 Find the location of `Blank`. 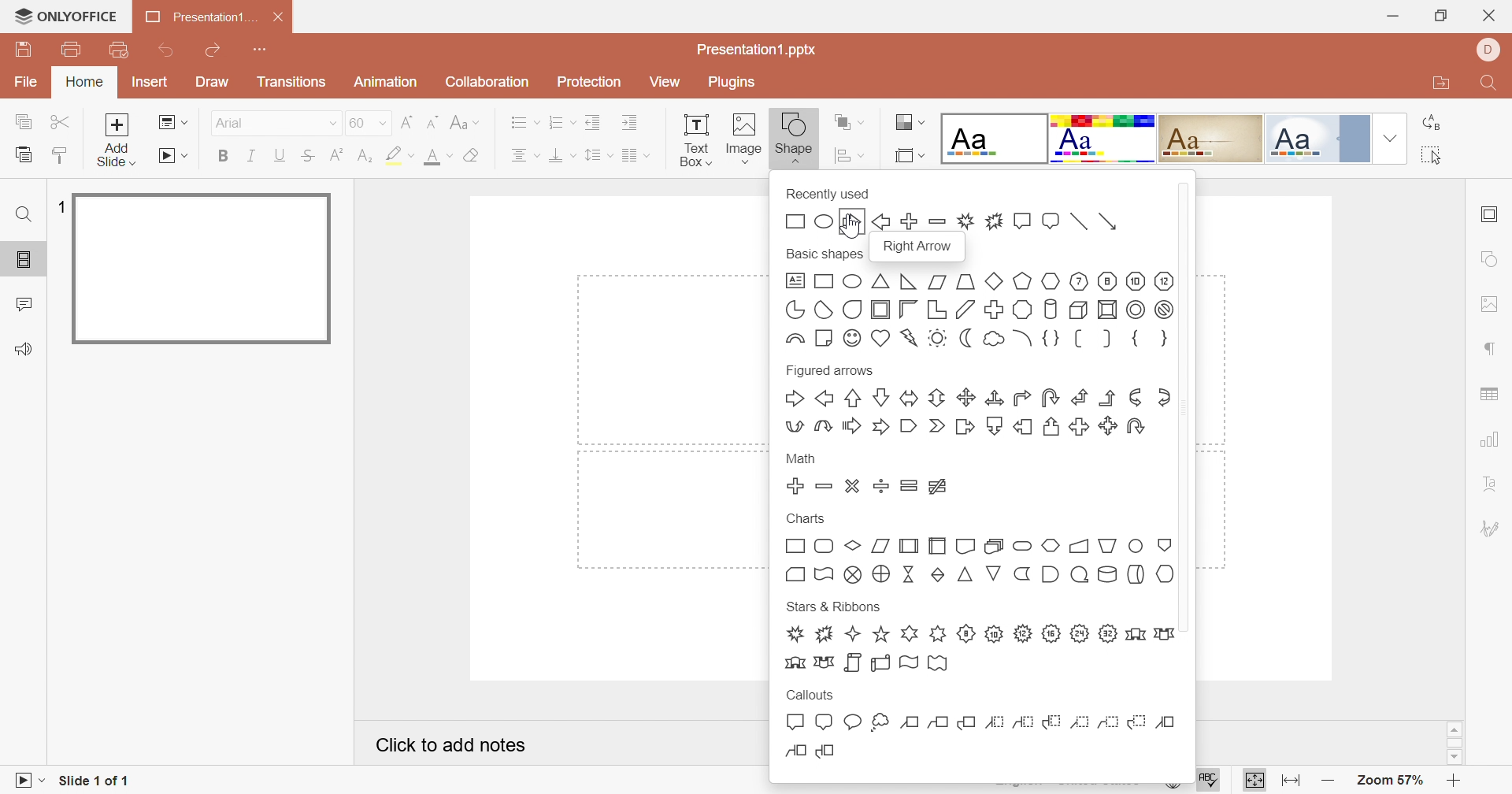

Blank is located at coordinates (992, 137).